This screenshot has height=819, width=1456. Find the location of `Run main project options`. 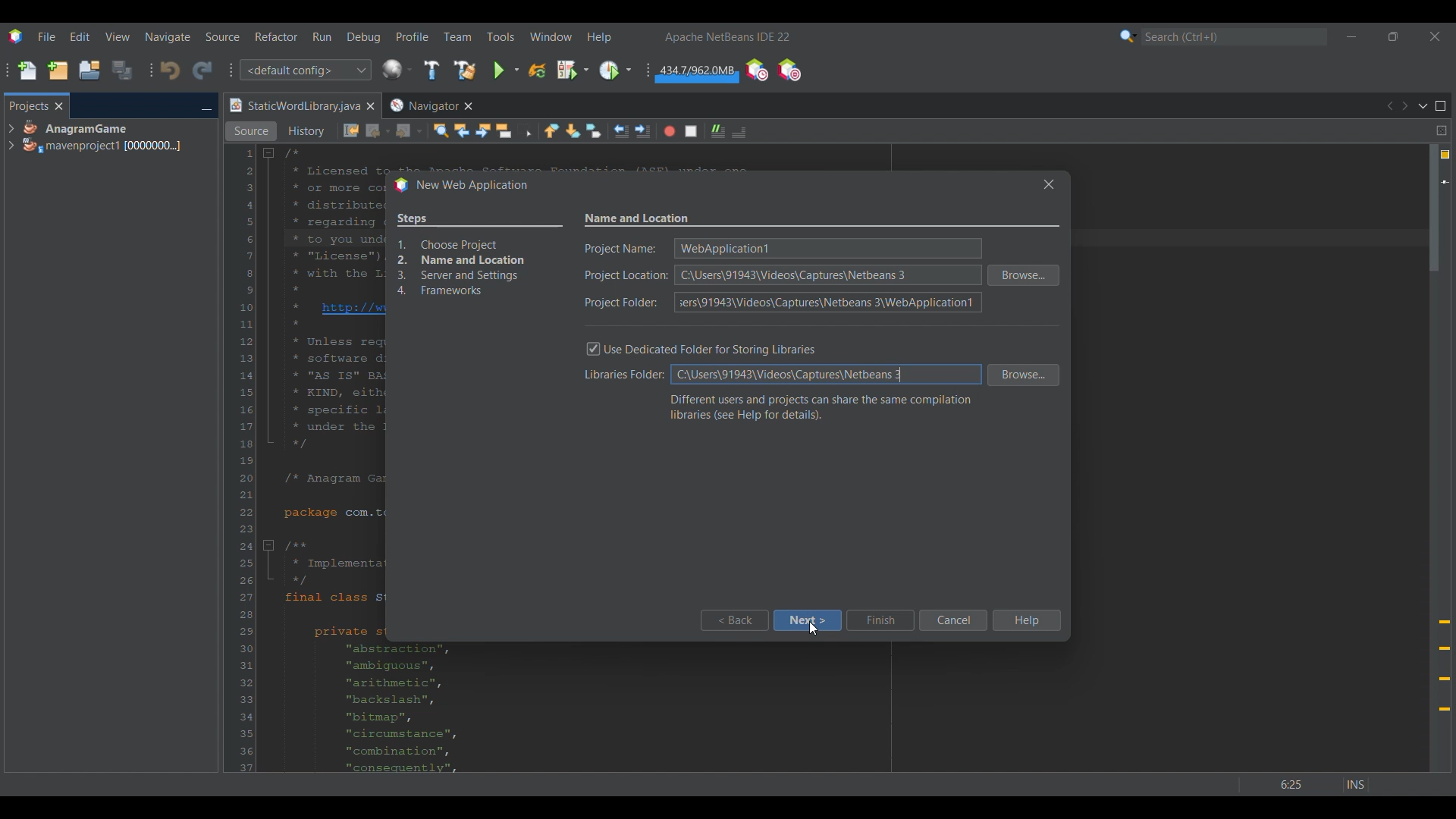

Run main project options is located at coordinates (507, 70).